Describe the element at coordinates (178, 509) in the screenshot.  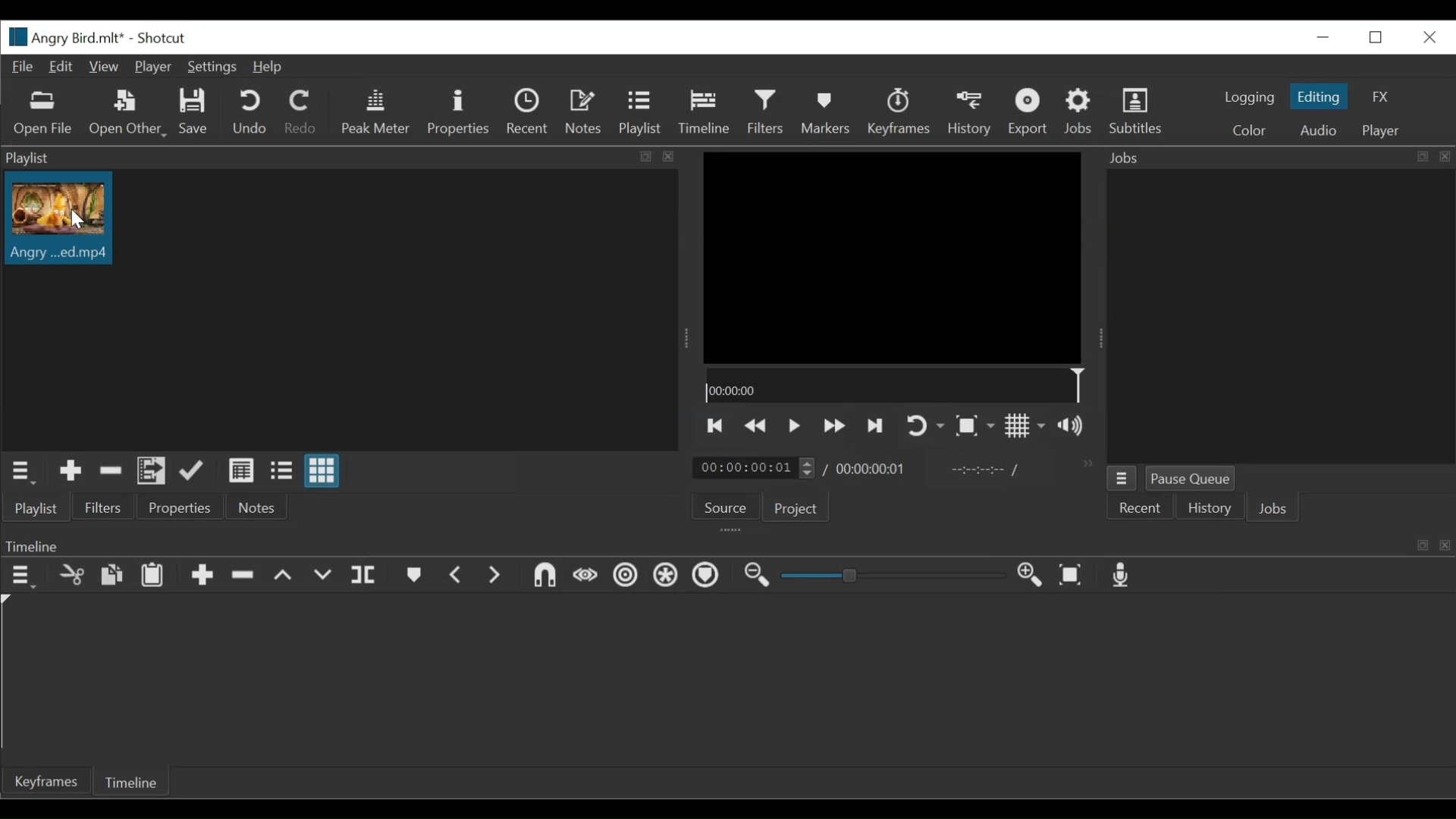
I see `Properties` at that location.